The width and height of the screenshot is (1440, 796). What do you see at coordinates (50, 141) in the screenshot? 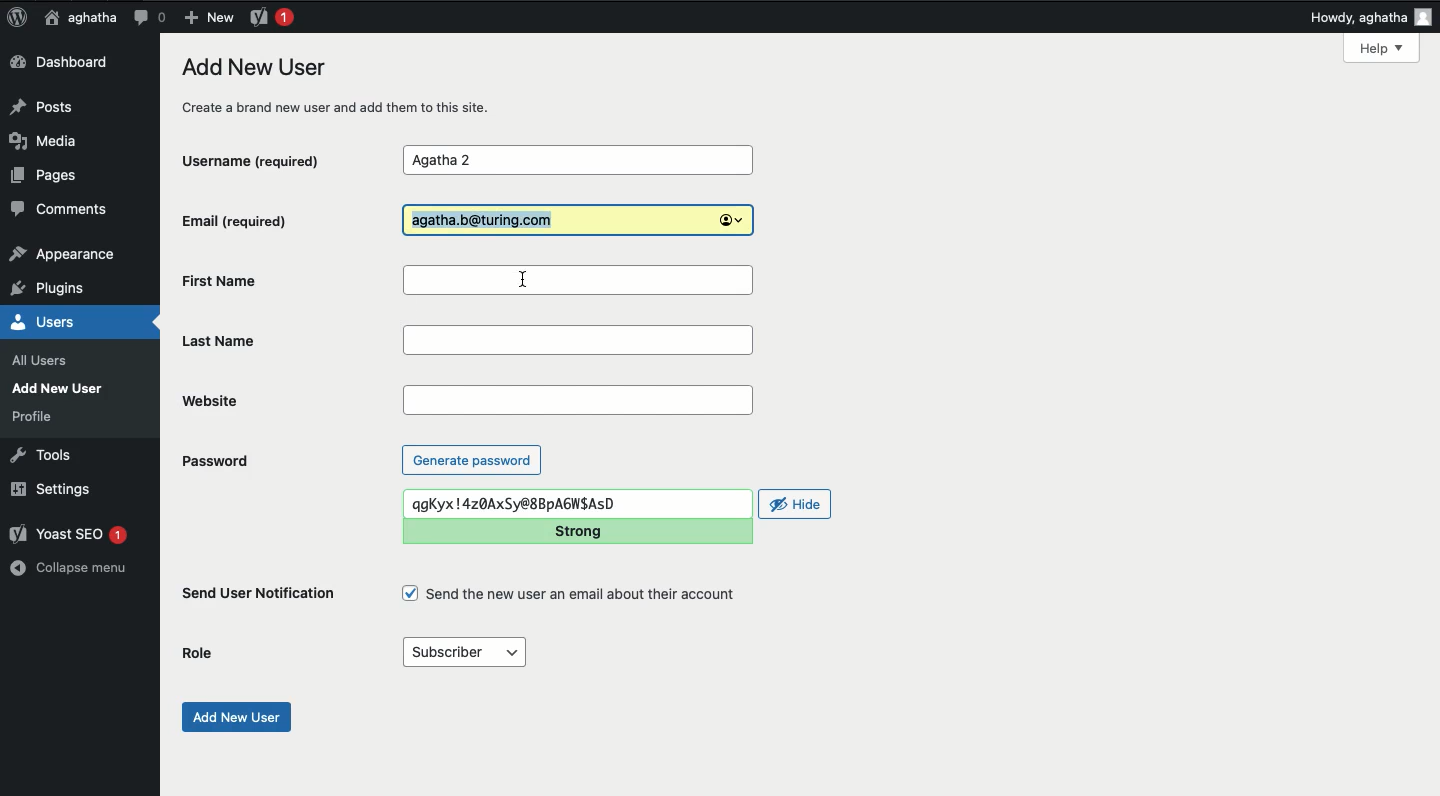
I see `Media` at bounding box center [50, 141].